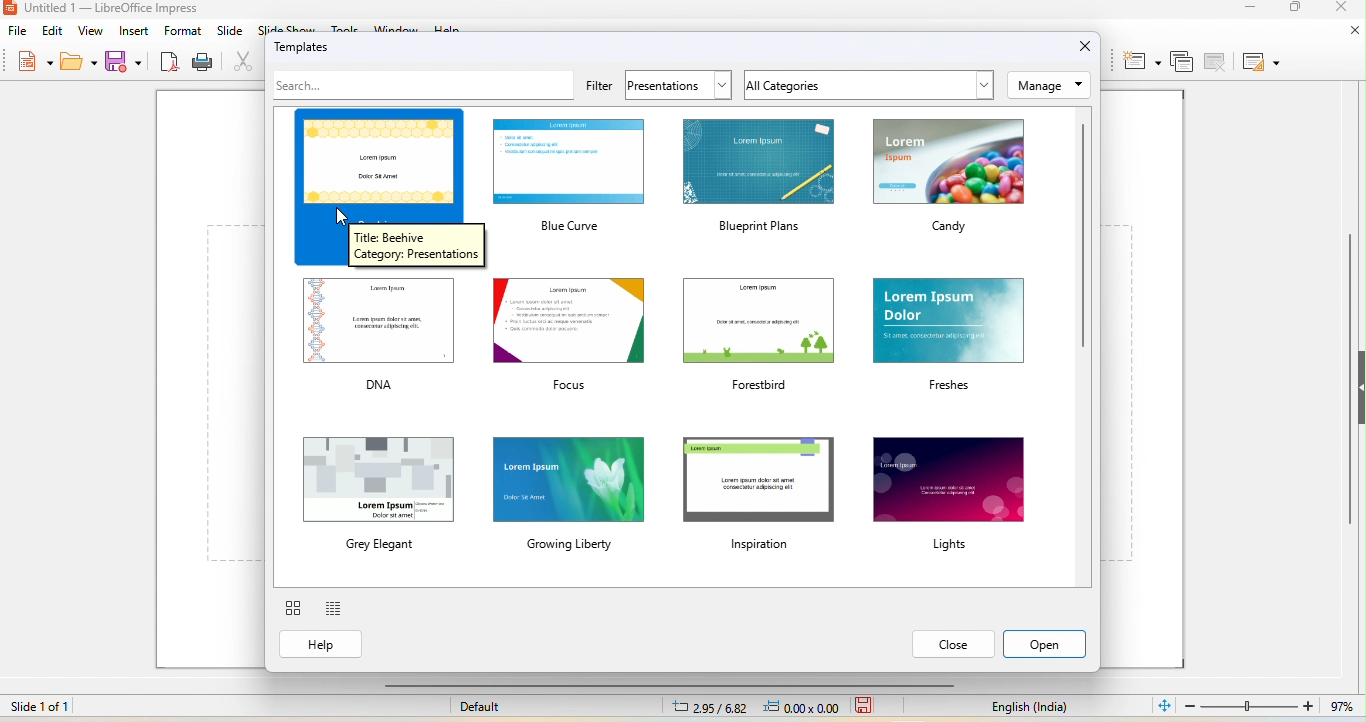 The width and height of the screenshot is (1366, 722). Describe the element at coordinates (293, 608) in the screenshot. I see `thumbnail view` at that location.